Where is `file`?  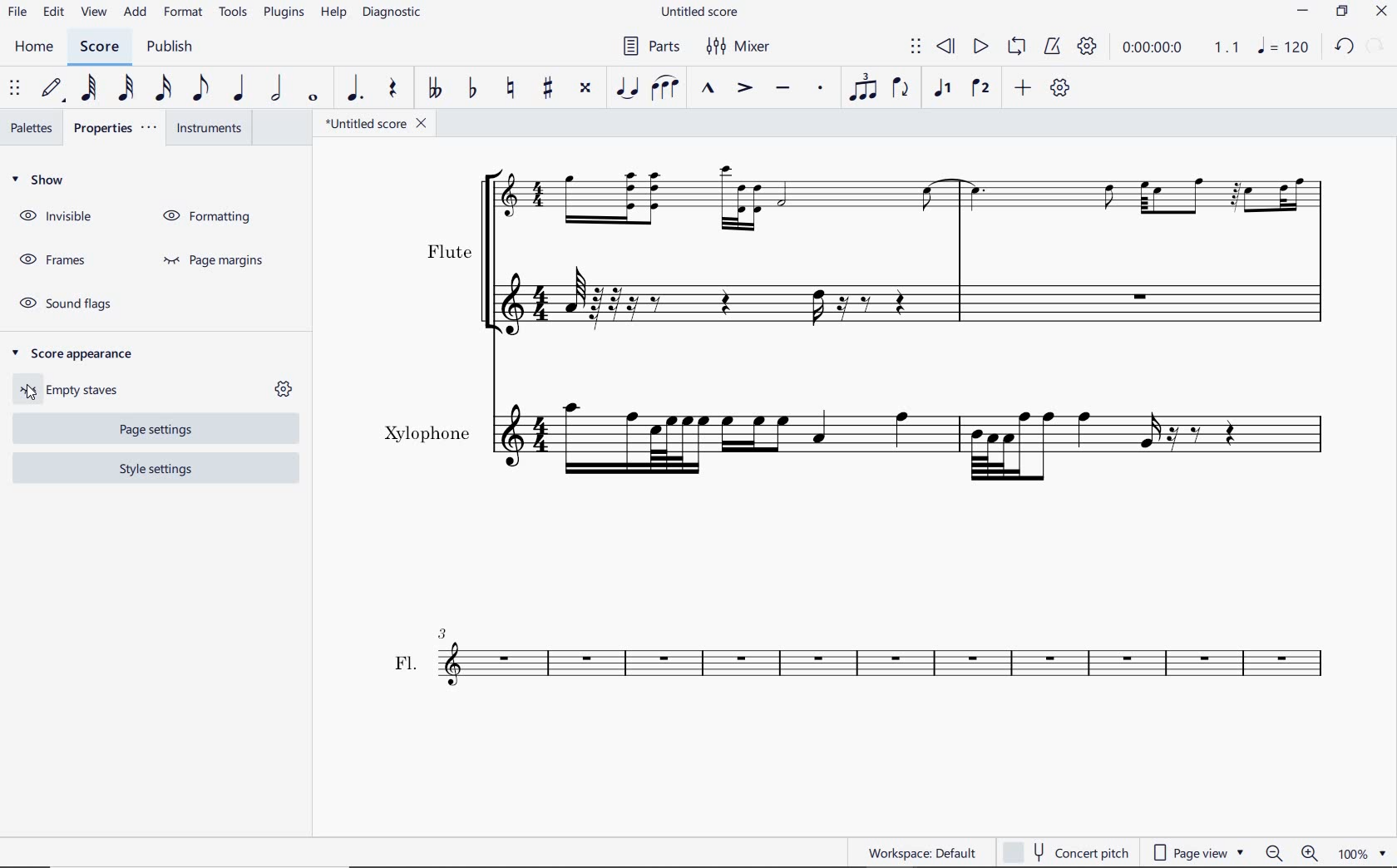 file is located at coordinates (18, 14).